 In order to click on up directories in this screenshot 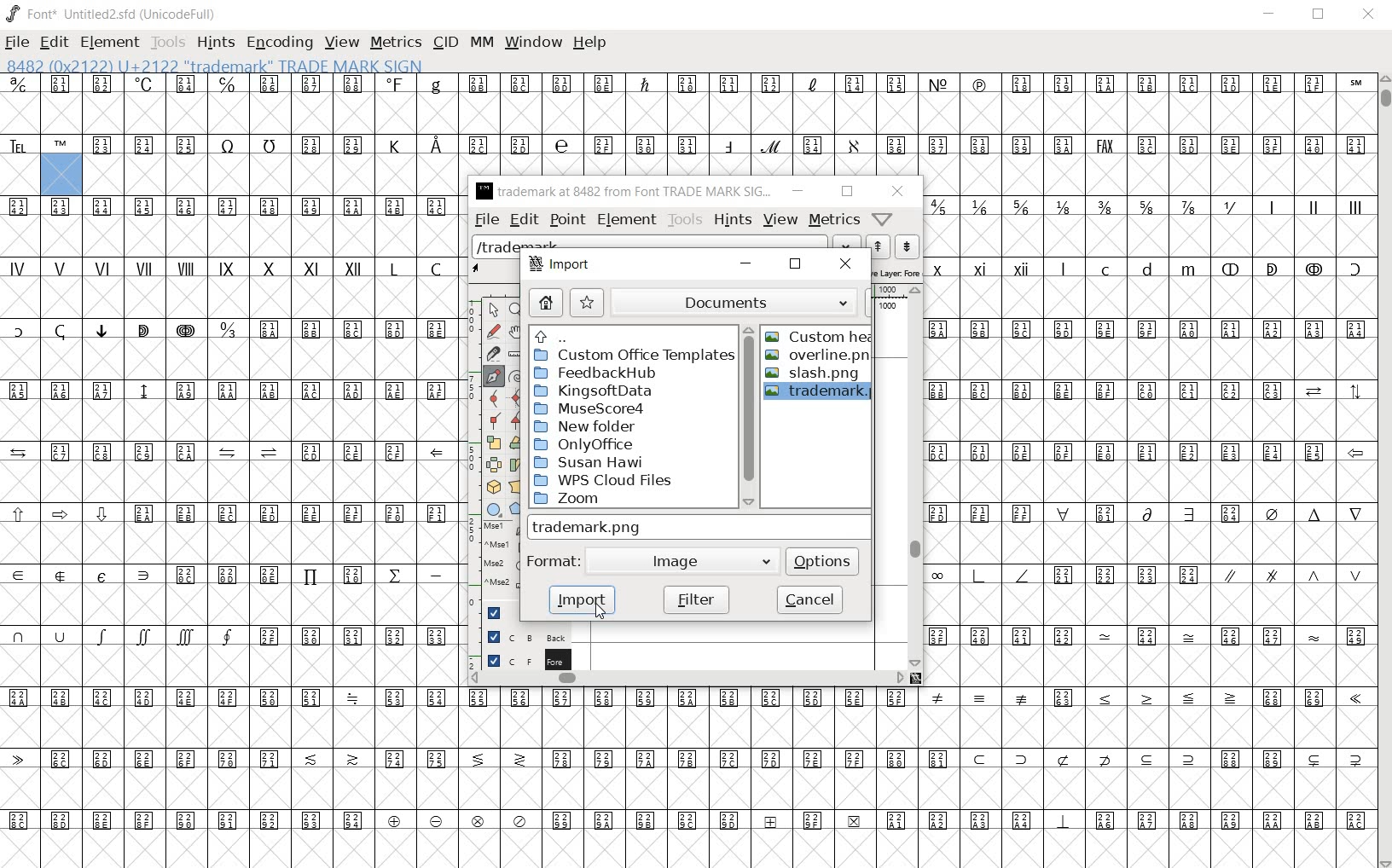, I will do `click(589, 335)`.